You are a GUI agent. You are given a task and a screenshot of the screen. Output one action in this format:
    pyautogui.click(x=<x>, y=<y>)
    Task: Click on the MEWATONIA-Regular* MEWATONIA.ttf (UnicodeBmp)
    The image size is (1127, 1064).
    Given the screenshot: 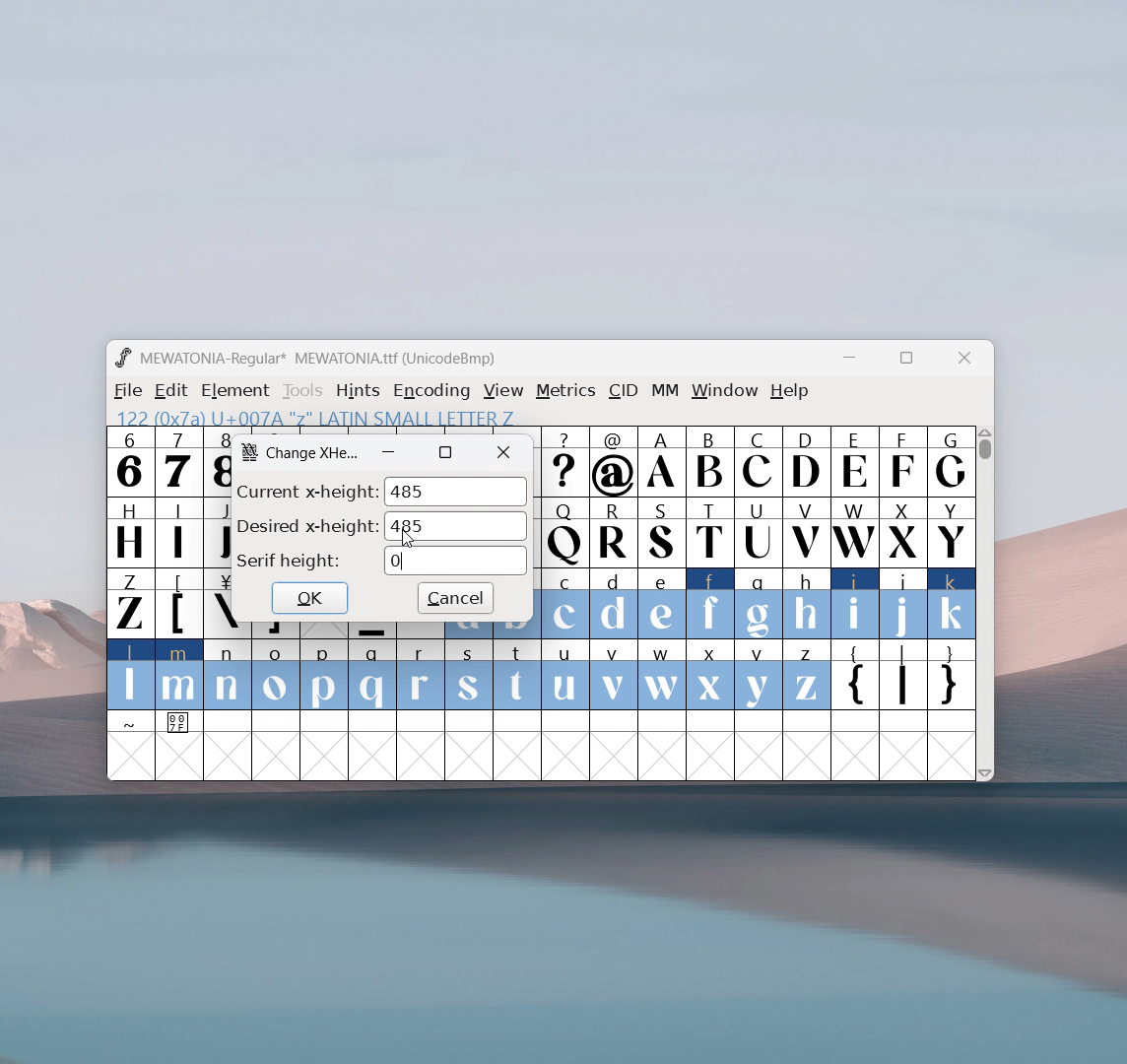 What is the action you would take?
    pyautogui.click(x=321, y=359)
    